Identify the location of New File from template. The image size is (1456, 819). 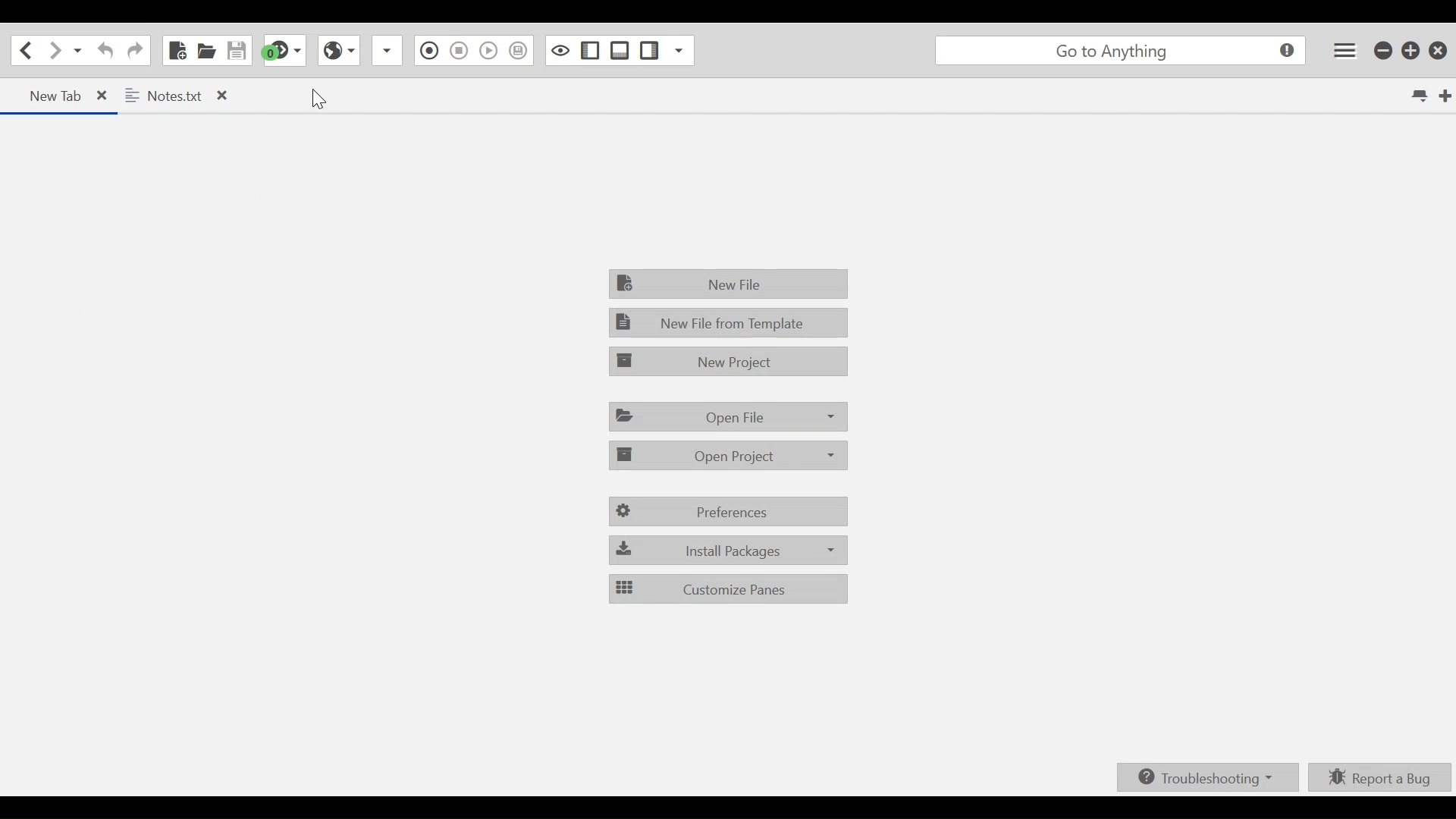
(727, 323).